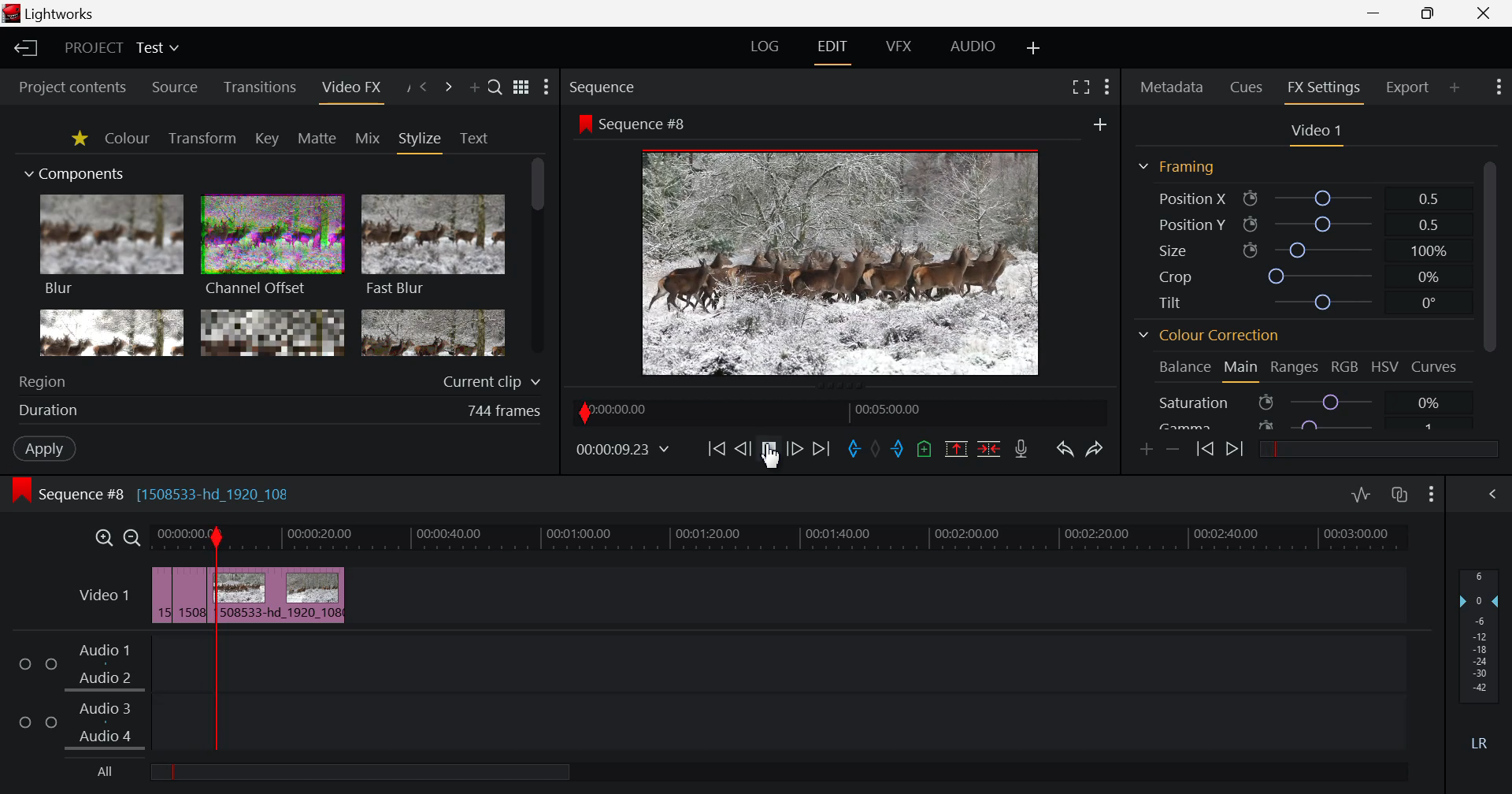  What do you see at coordinates (202, 138) in the screenshot?
I see `Transform` at bounding box center [202, 138].